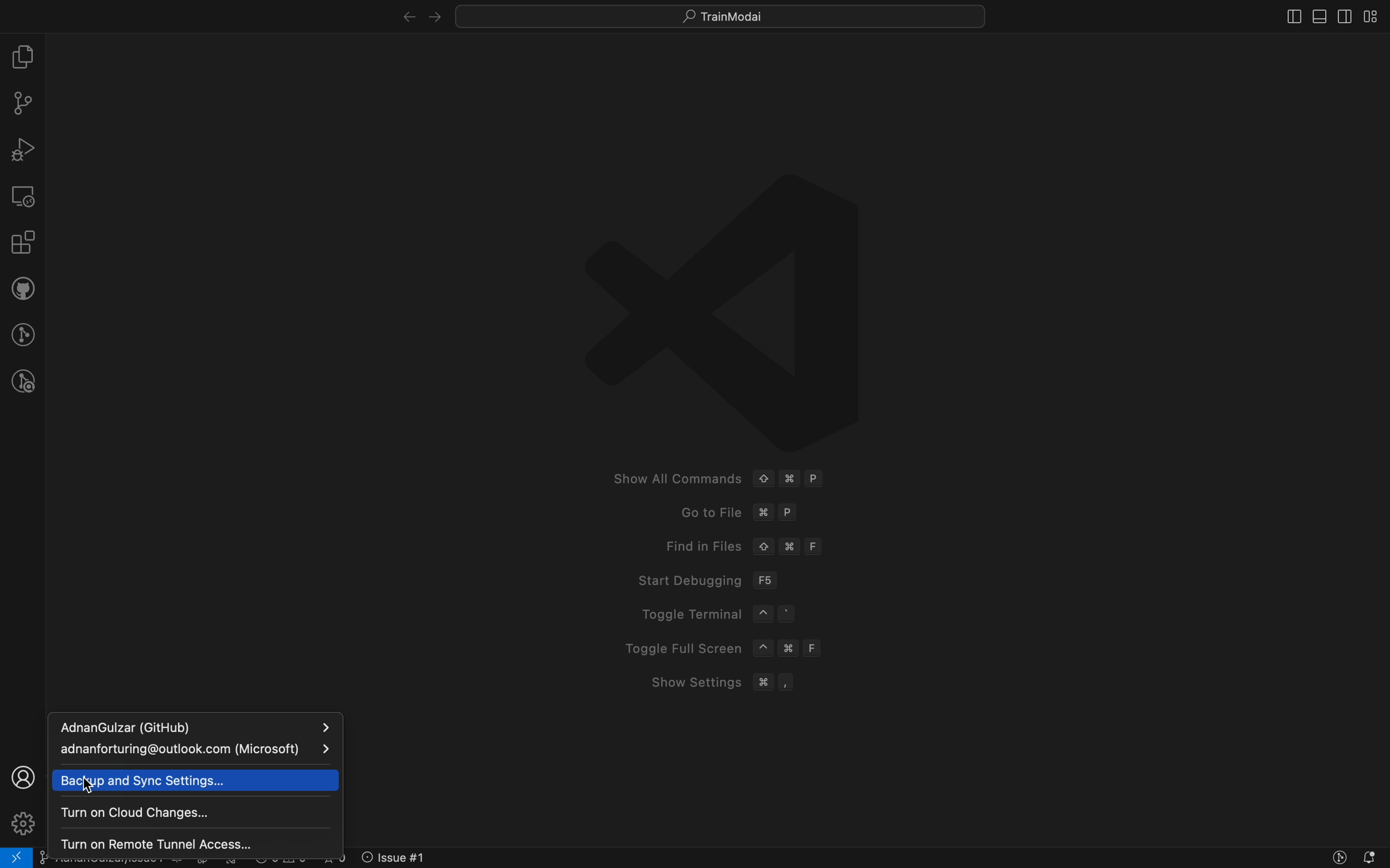 This screenshot has height=868, width=1390. Describe the element at coordinates (434, 14) in the screenshot. I see `left arrow` at that location.